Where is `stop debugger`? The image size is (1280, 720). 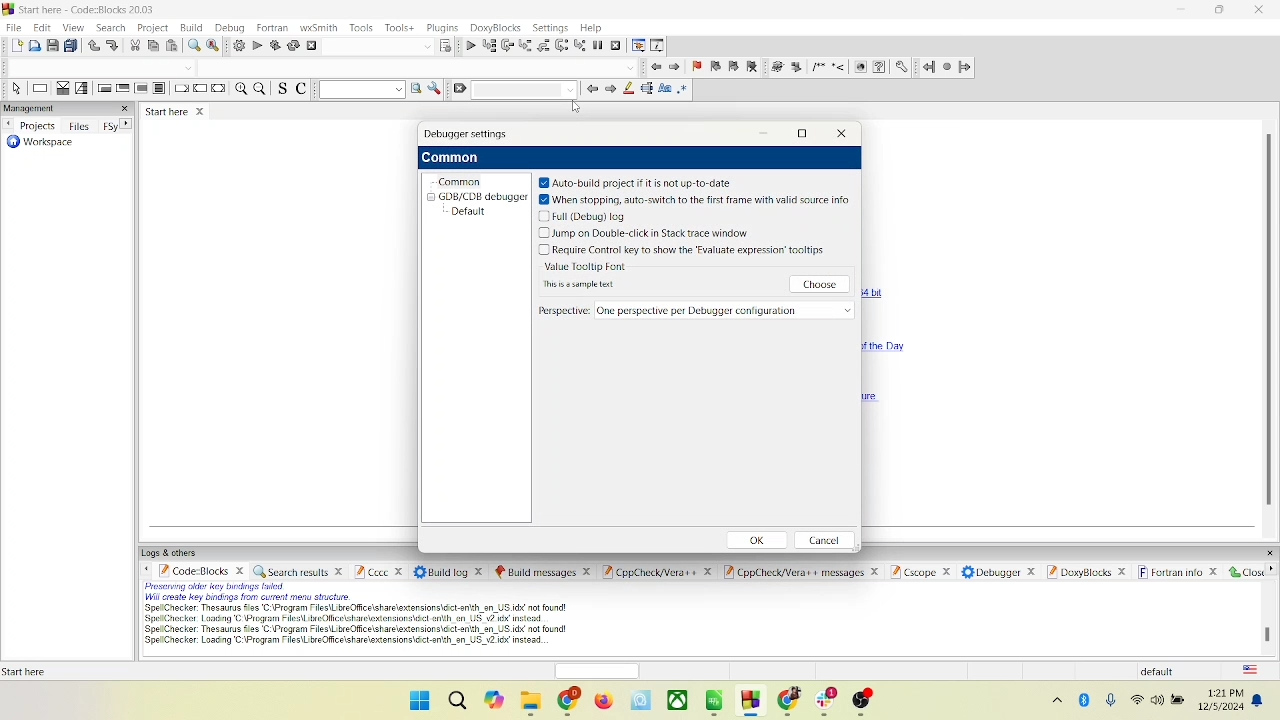
stop debugger is located at coordinates (616, 45).